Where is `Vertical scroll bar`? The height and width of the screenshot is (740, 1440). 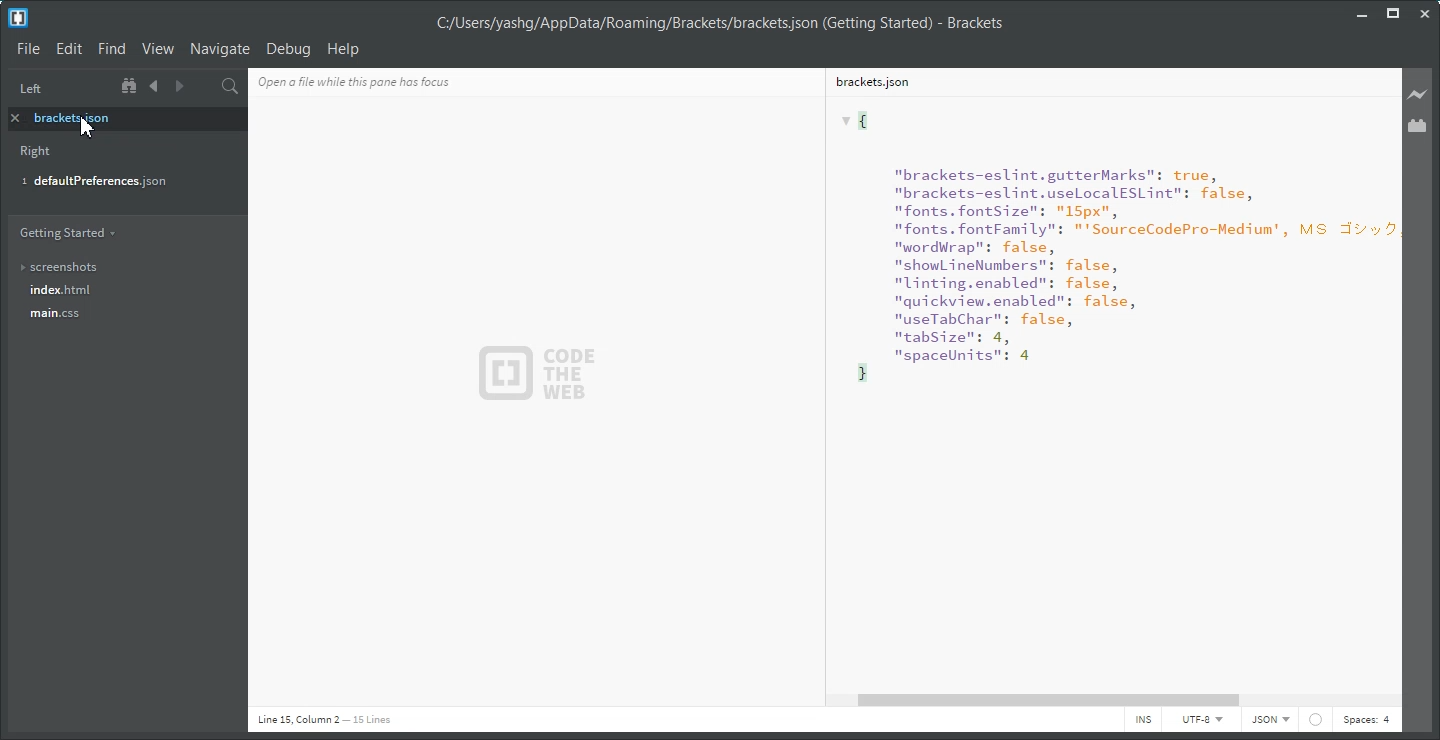 Vertical scroll bar is located at coordinates (1395, 378).